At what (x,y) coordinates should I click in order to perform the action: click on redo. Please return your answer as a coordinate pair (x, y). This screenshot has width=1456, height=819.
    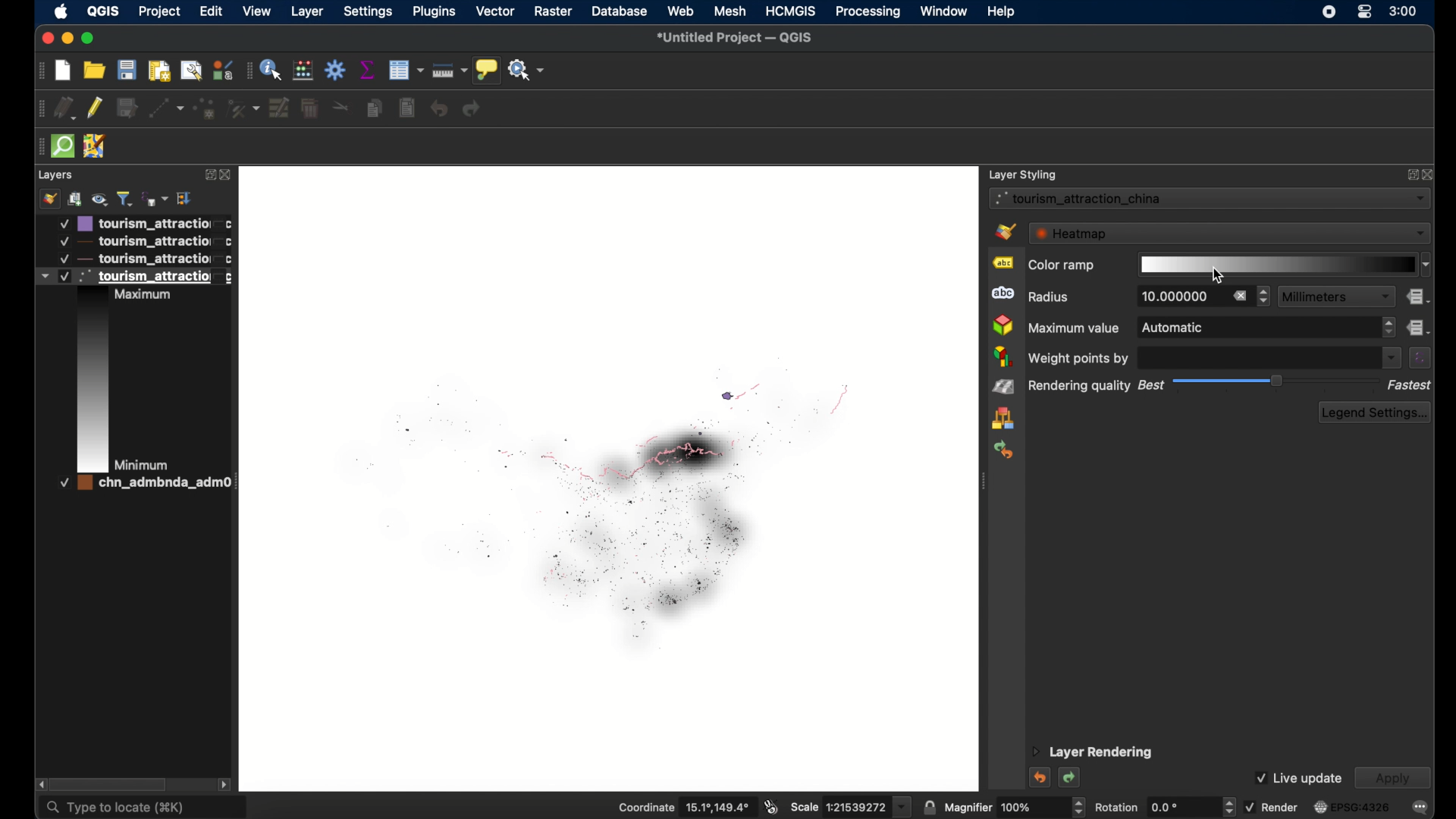
    Looking at the image, I should click on (473, 110).